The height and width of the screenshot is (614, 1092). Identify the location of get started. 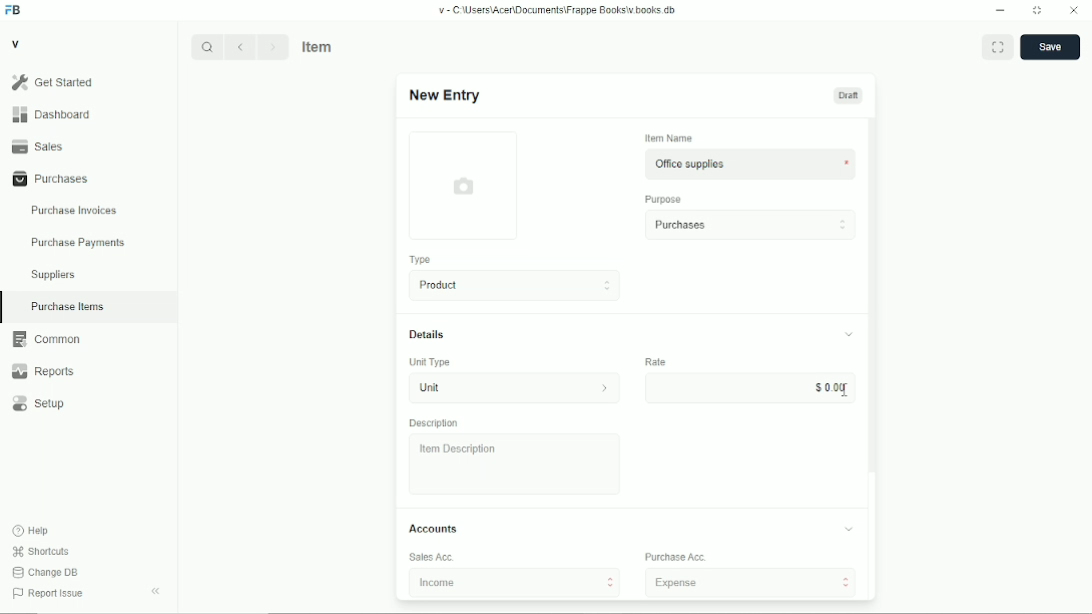
(53, 82).